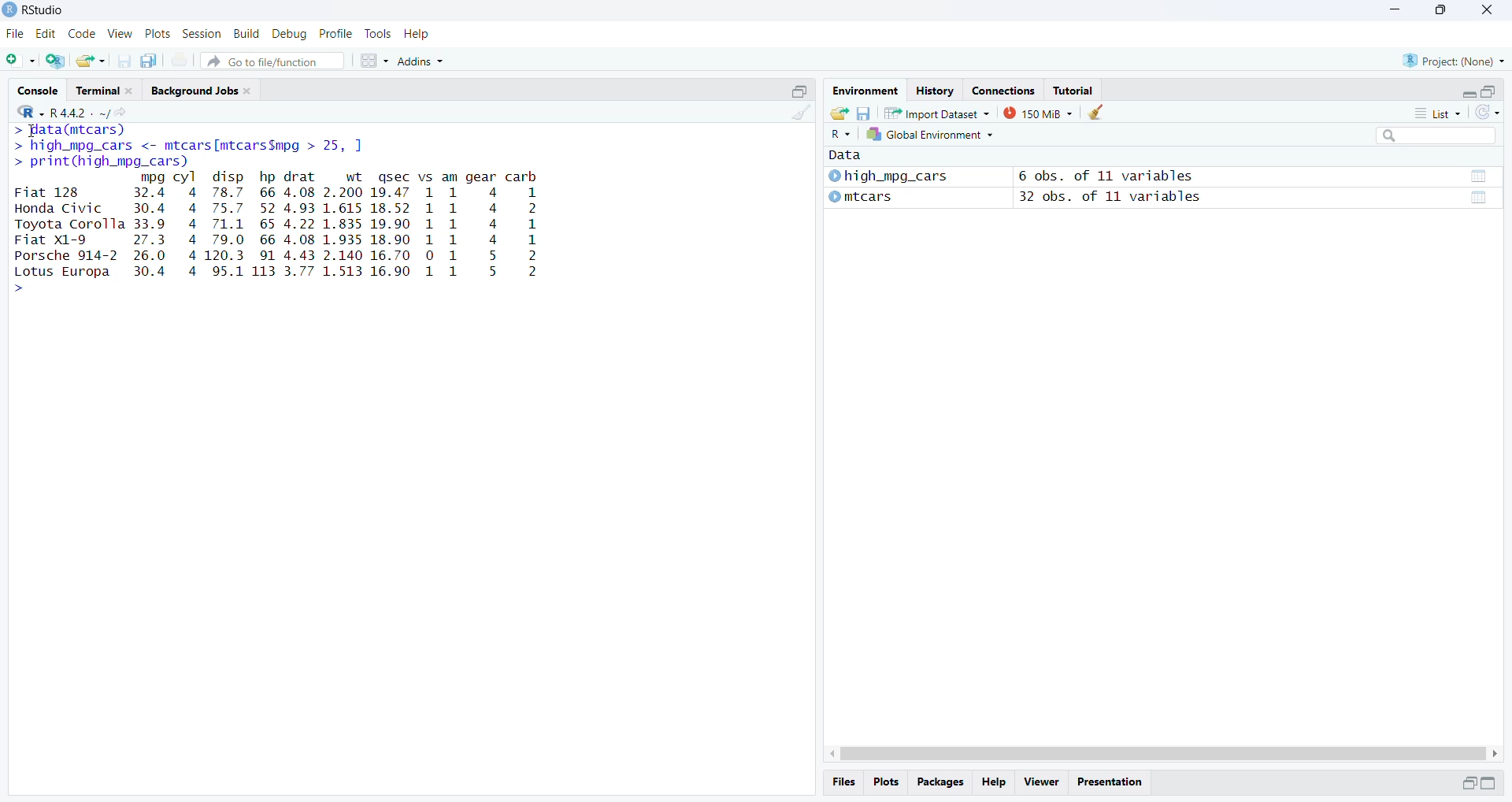 The width and height of the screenshot is (1512, 802). I want to click on minimize, so click(1469, 94).